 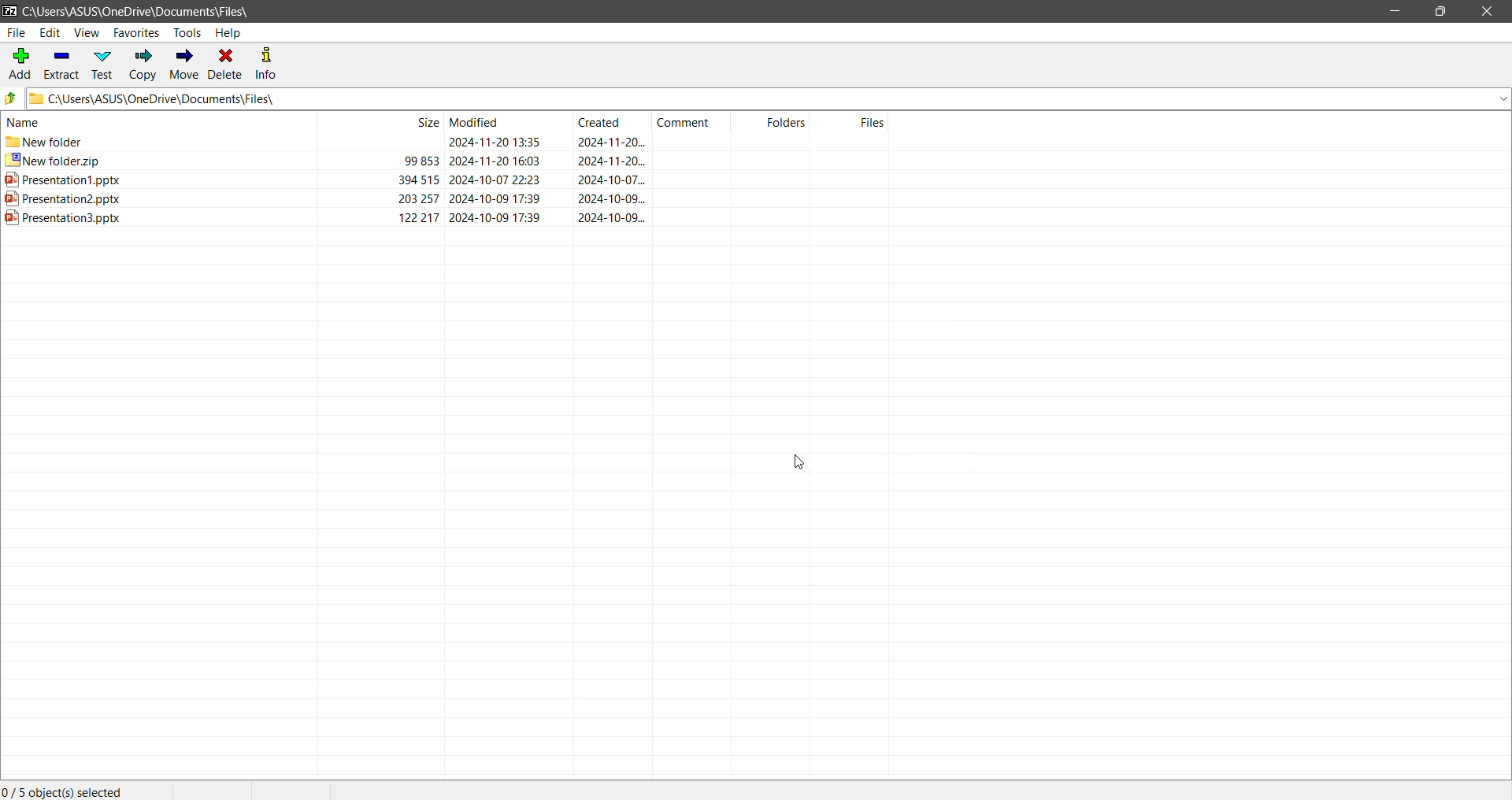 What do you see at coordinates (691, 121) in the screenshot?
I see `Comments` at bounding box center [691, 121].